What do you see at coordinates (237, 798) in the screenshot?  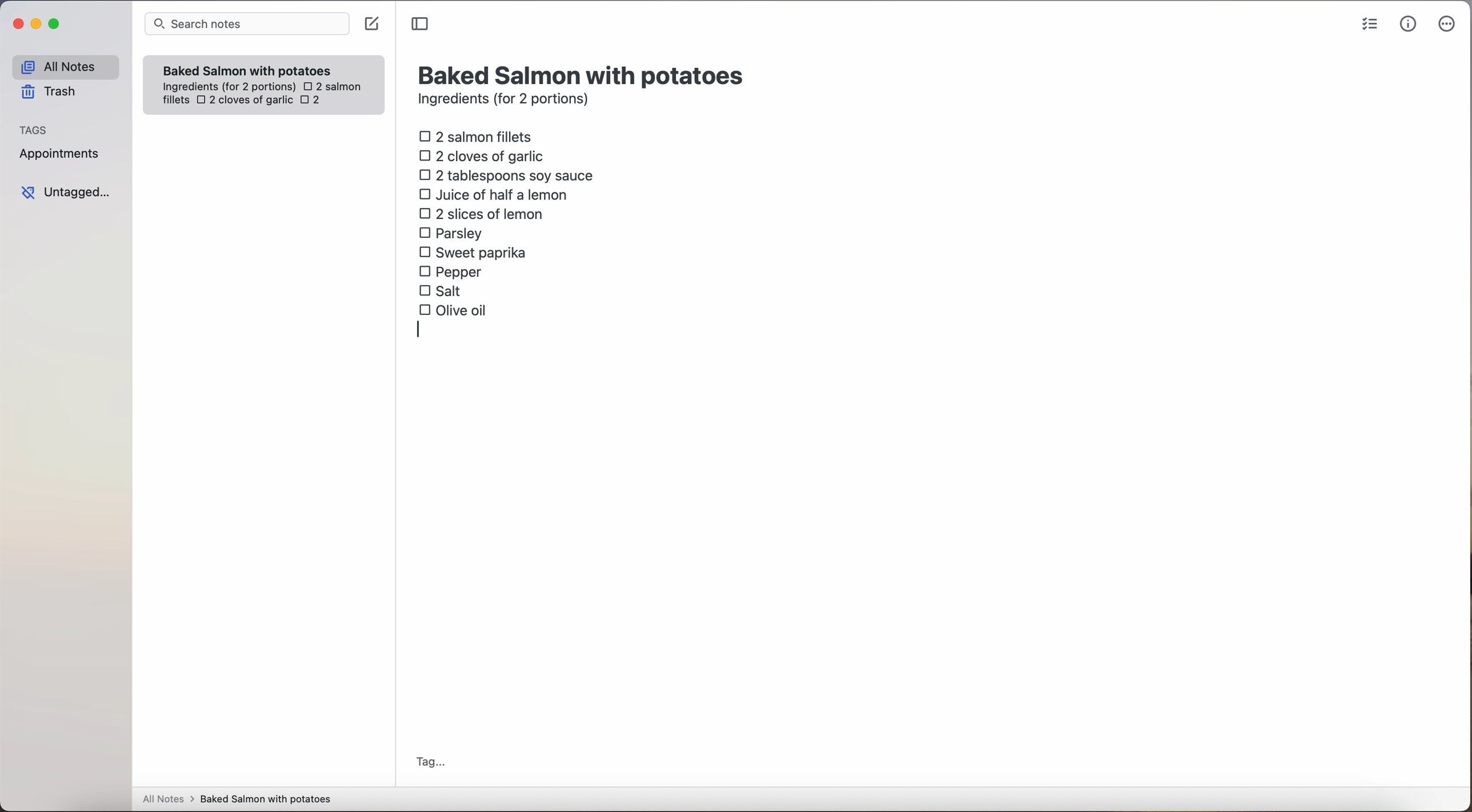 I see `all notes > baked Salmon with potatoes` at bounding box center [237, 798].